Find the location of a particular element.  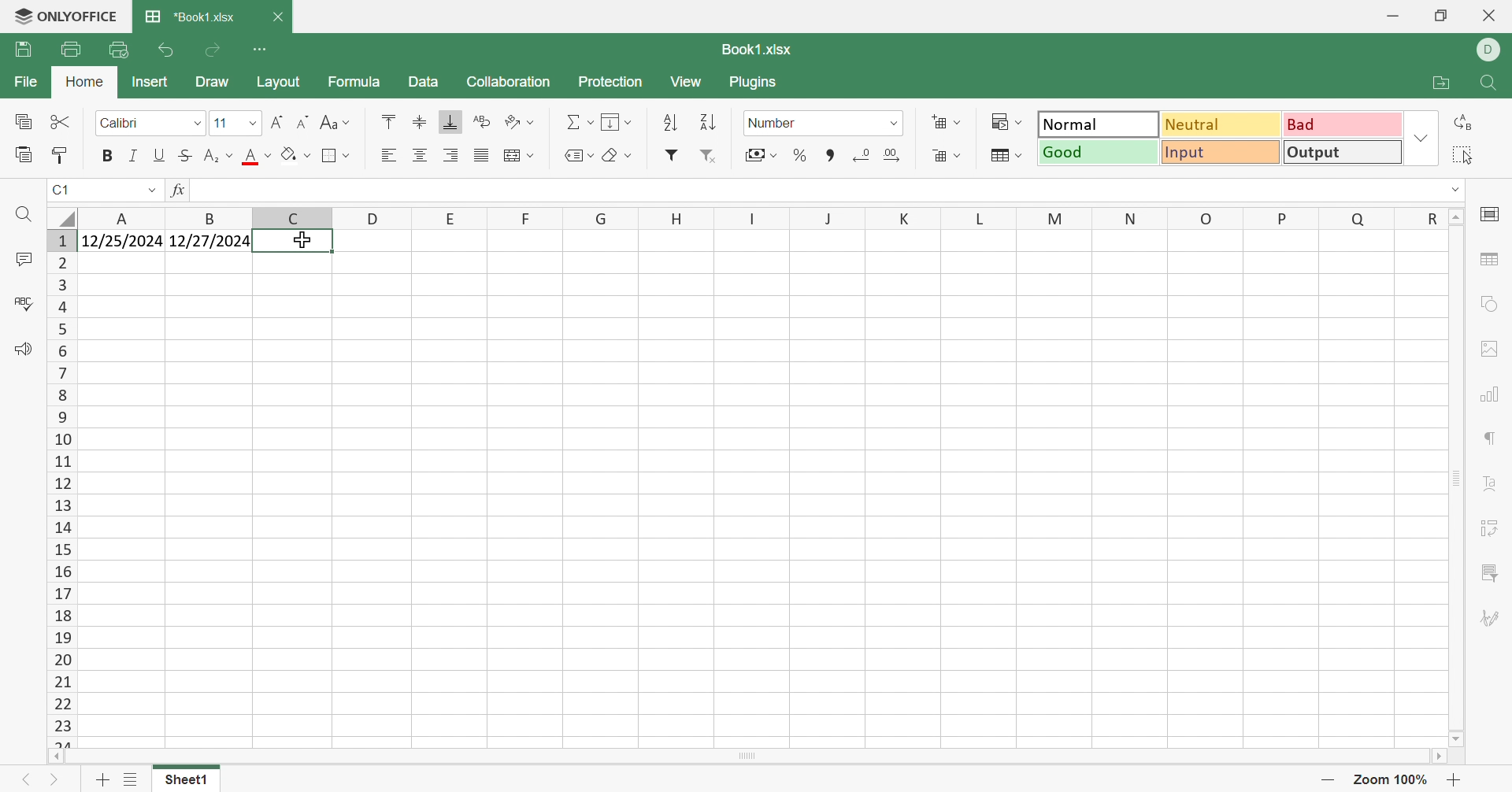

Next is located at coordinates (55, 777).